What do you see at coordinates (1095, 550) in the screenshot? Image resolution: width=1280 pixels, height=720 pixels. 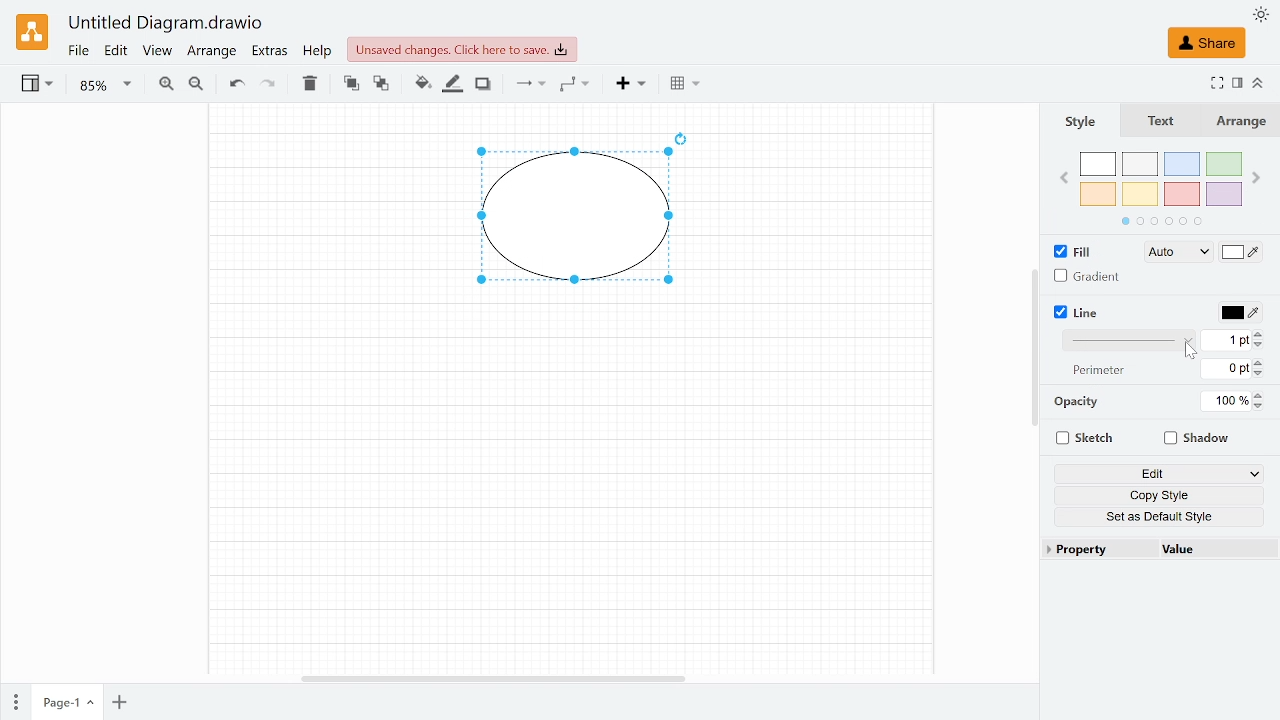 I see `Property` at bounding box center [1095, 550].